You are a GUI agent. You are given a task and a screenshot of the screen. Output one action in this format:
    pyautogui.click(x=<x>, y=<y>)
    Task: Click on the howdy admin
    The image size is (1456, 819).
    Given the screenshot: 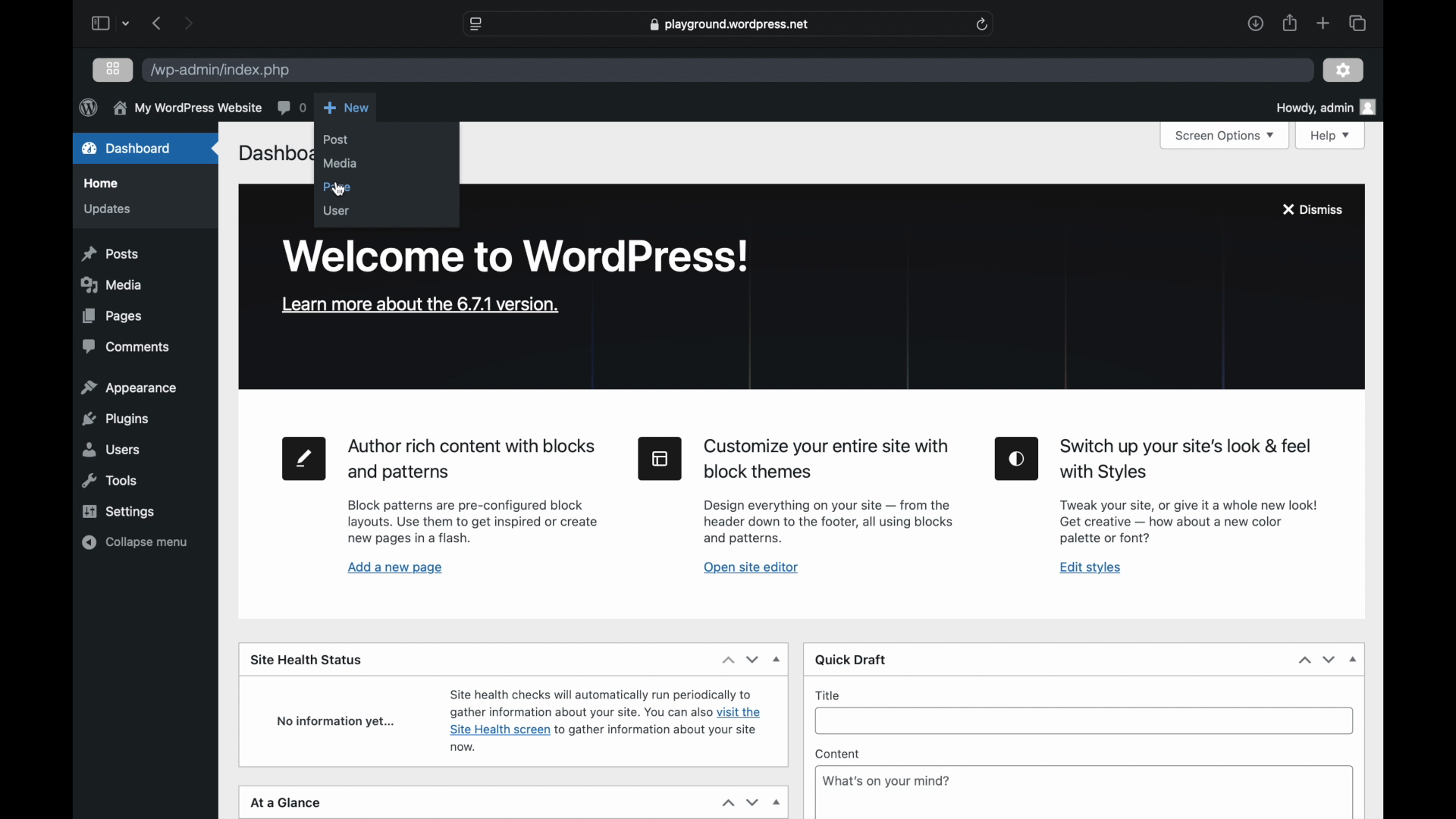 What is the action you would take?
    pyautogui.click(x=1327, y=106)
    